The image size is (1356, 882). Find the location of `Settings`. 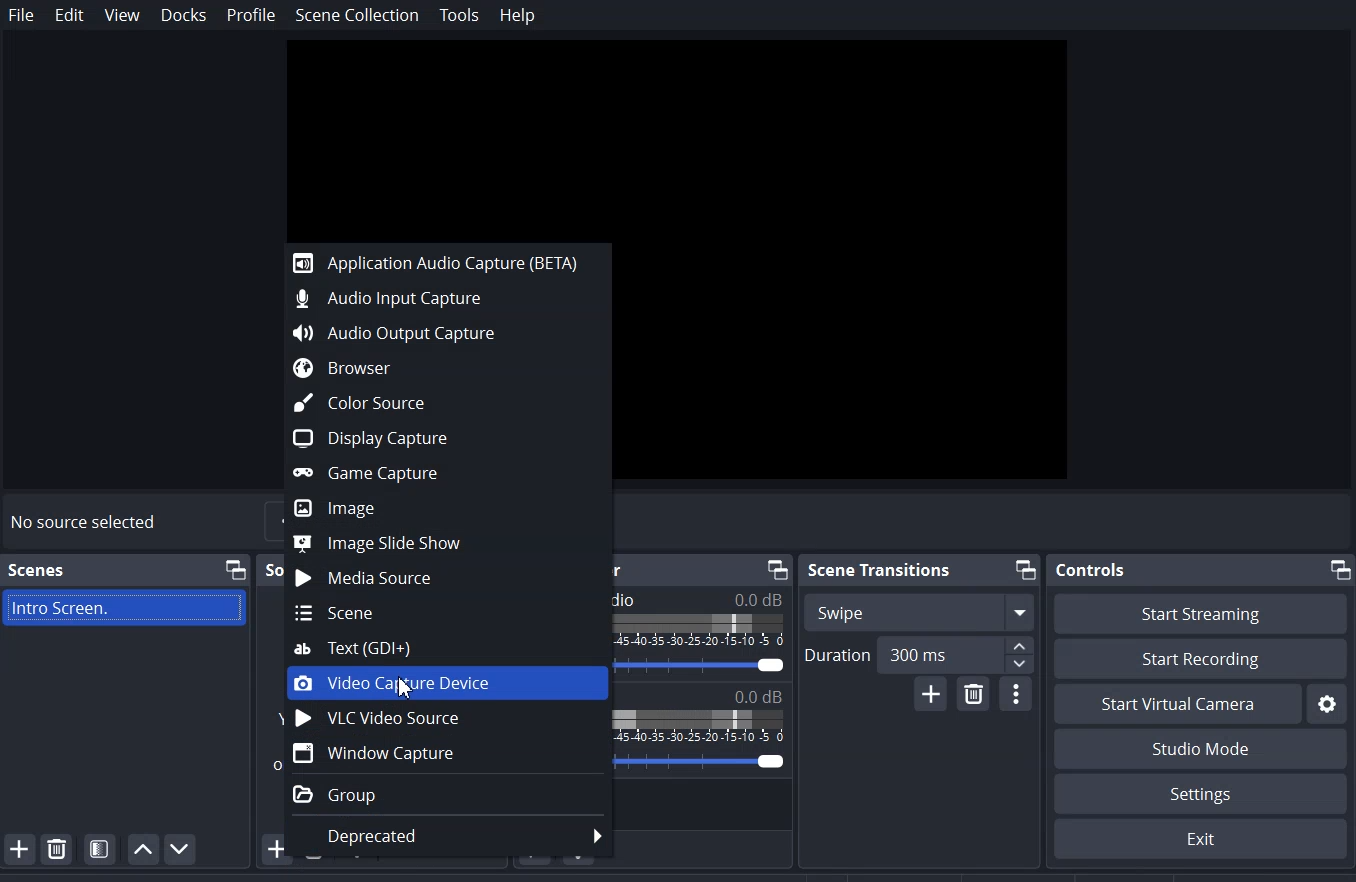

Settings is located at coordinates (1327, 703).